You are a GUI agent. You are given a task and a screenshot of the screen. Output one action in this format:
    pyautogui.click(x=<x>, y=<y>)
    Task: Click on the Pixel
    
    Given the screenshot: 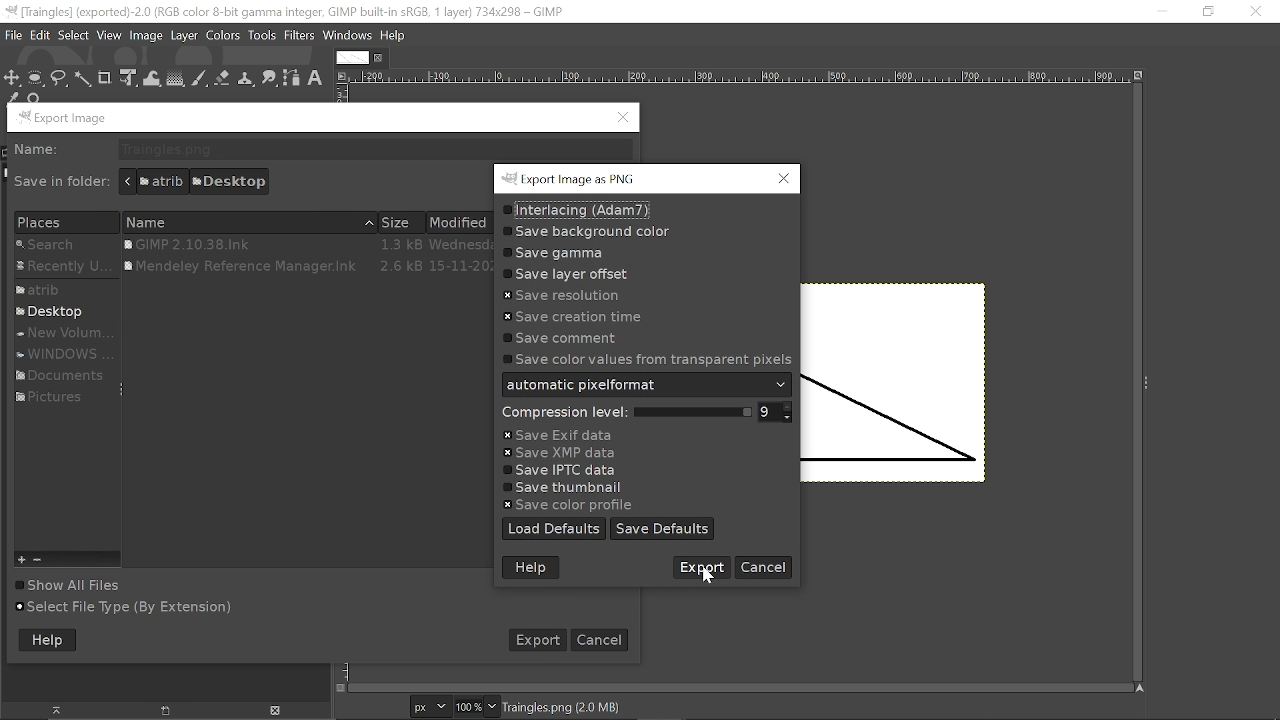 What is the action you would take?
    pyautogui.click(x=431, y=706)
    